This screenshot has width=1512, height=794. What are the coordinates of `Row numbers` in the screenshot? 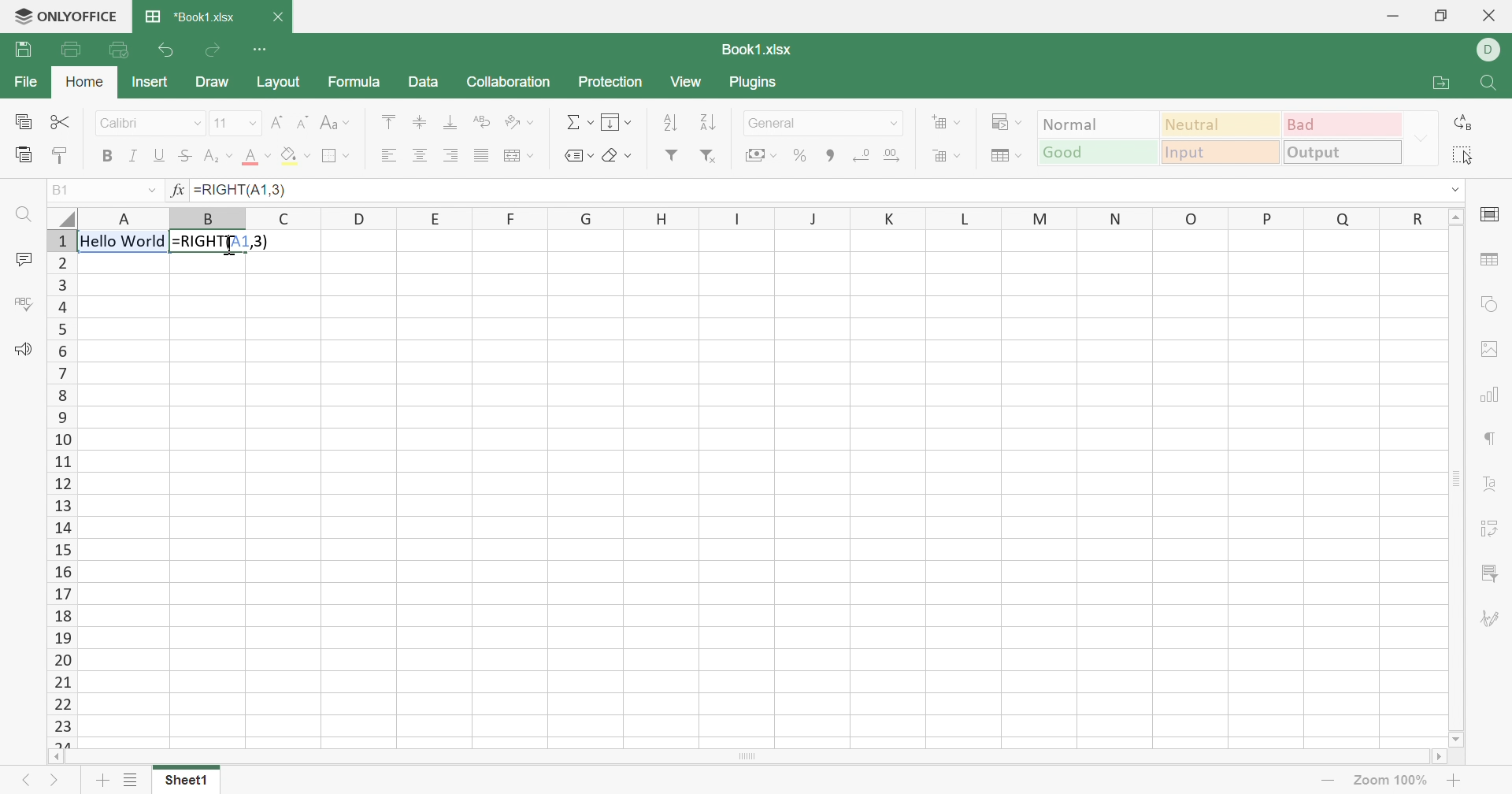 It's located at (61, 487).